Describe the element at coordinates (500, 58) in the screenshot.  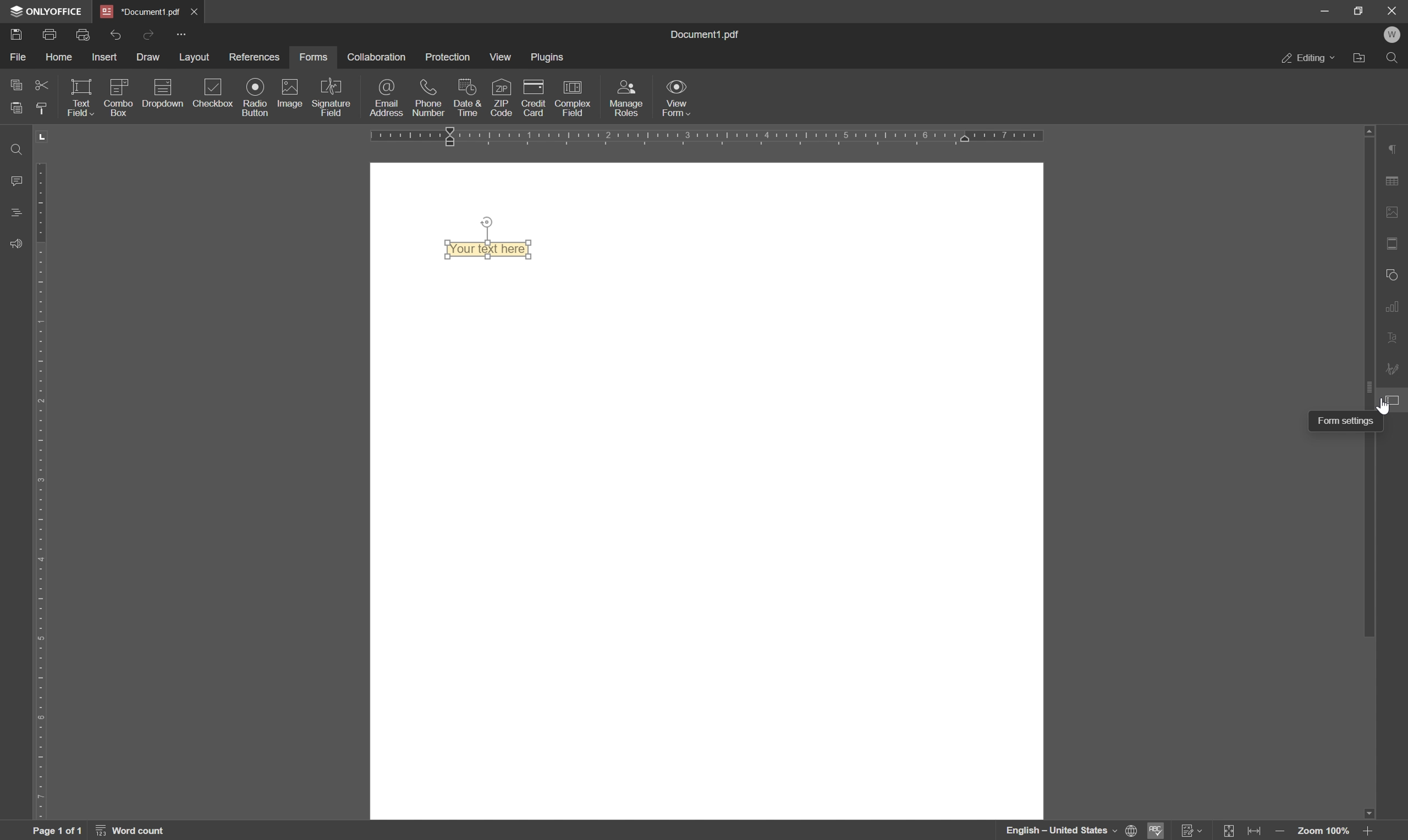
I see `view` at that location.